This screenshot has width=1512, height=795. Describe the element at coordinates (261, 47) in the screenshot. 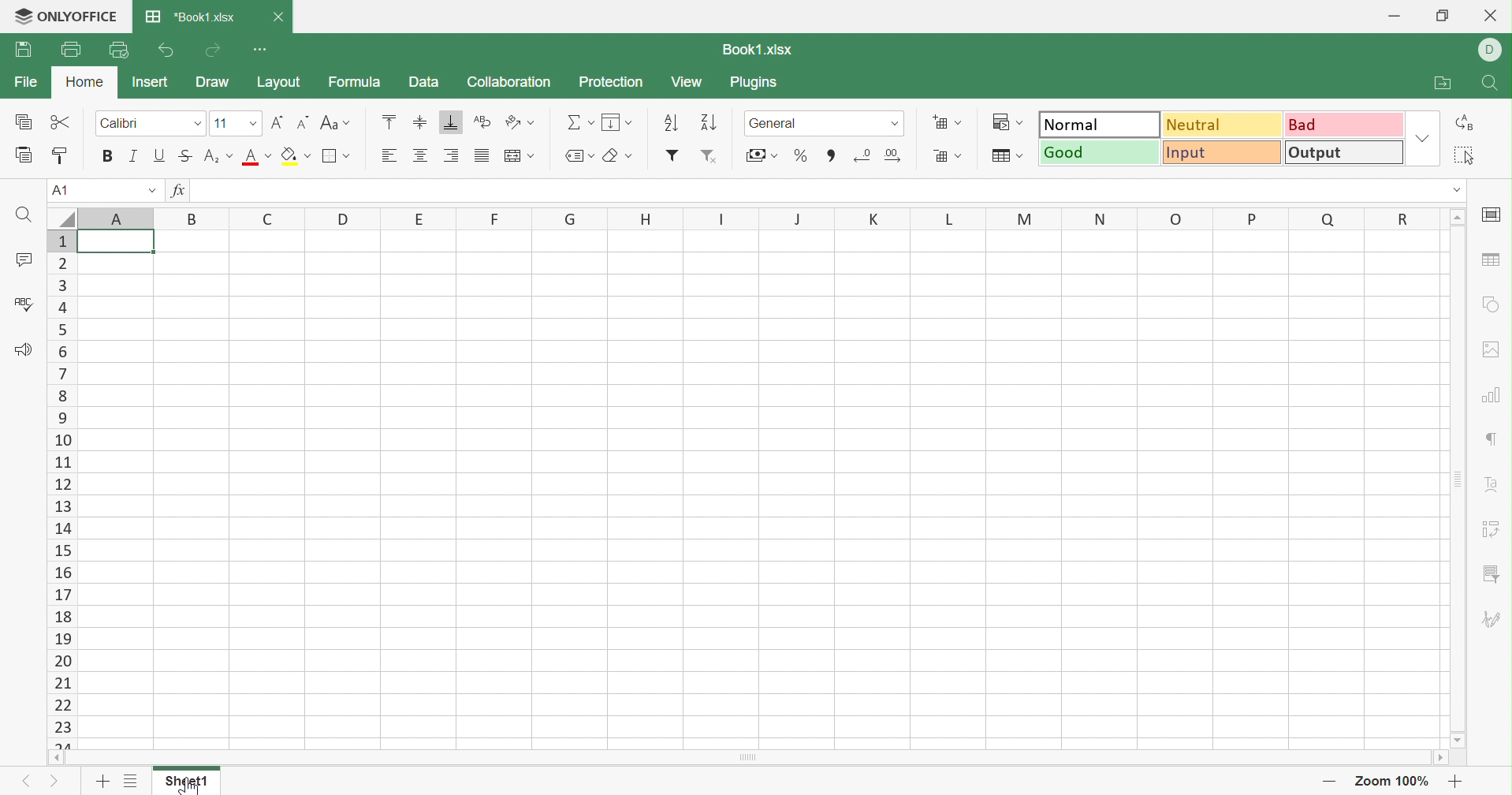

I see `Customize Quick Access Toolbar` at that location.